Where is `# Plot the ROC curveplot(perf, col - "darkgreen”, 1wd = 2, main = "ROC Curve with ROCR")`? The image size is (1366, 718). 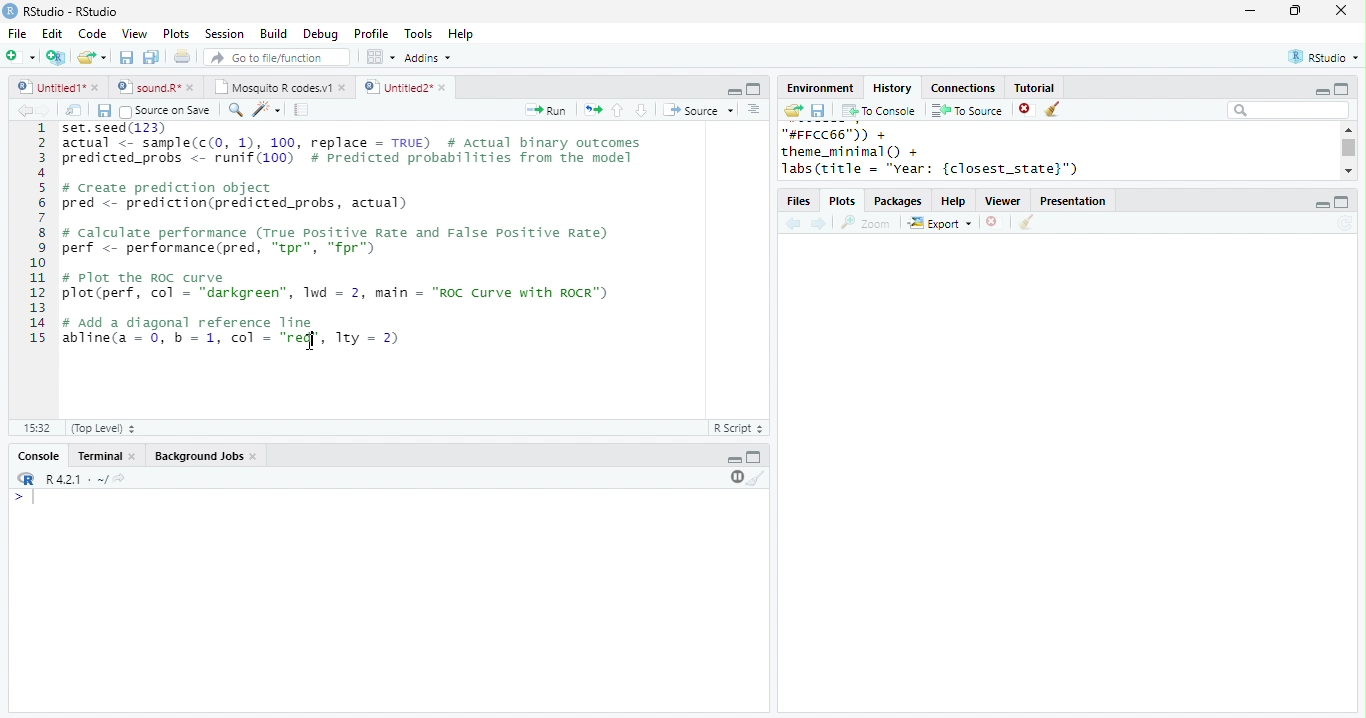
# Plot the ROC curveplot(perf, col - "darkgreen”, 1wd = 2, main = "ROC Curve with ROCR") is located at coordinates (338, 287).